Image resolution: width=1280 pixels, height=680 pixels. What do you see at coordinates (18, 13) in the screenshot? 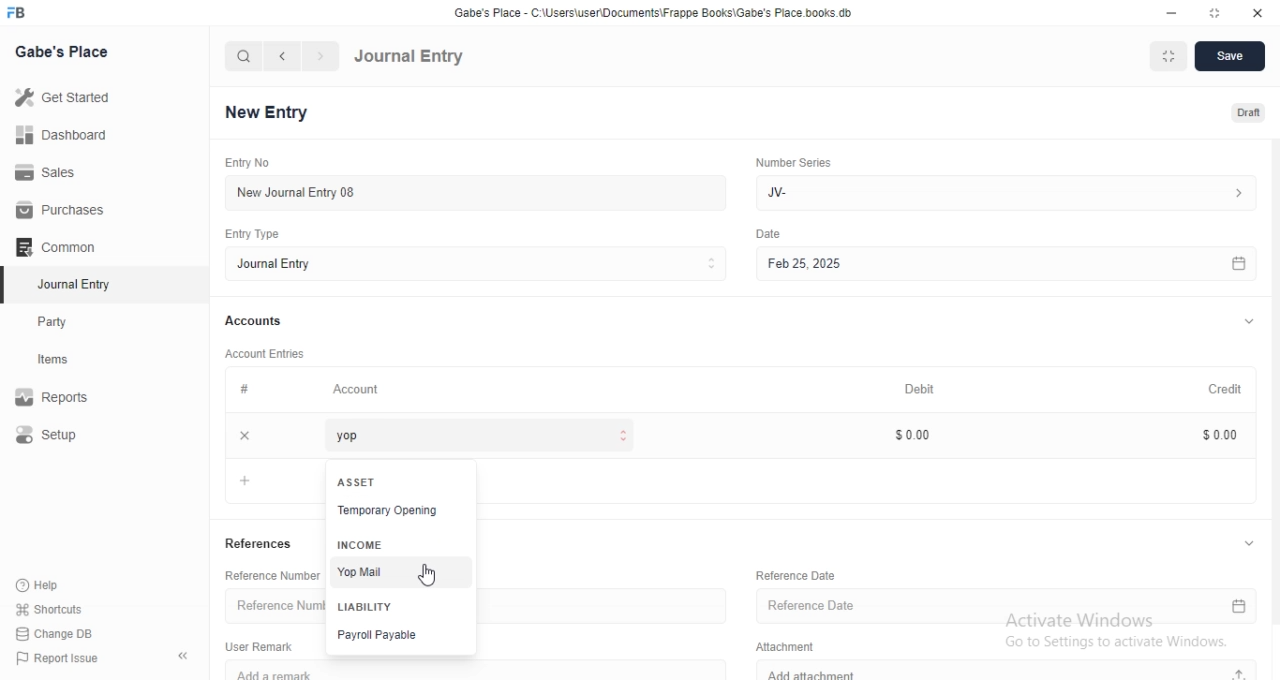
I see `FB` at bounding box center [18, 13].